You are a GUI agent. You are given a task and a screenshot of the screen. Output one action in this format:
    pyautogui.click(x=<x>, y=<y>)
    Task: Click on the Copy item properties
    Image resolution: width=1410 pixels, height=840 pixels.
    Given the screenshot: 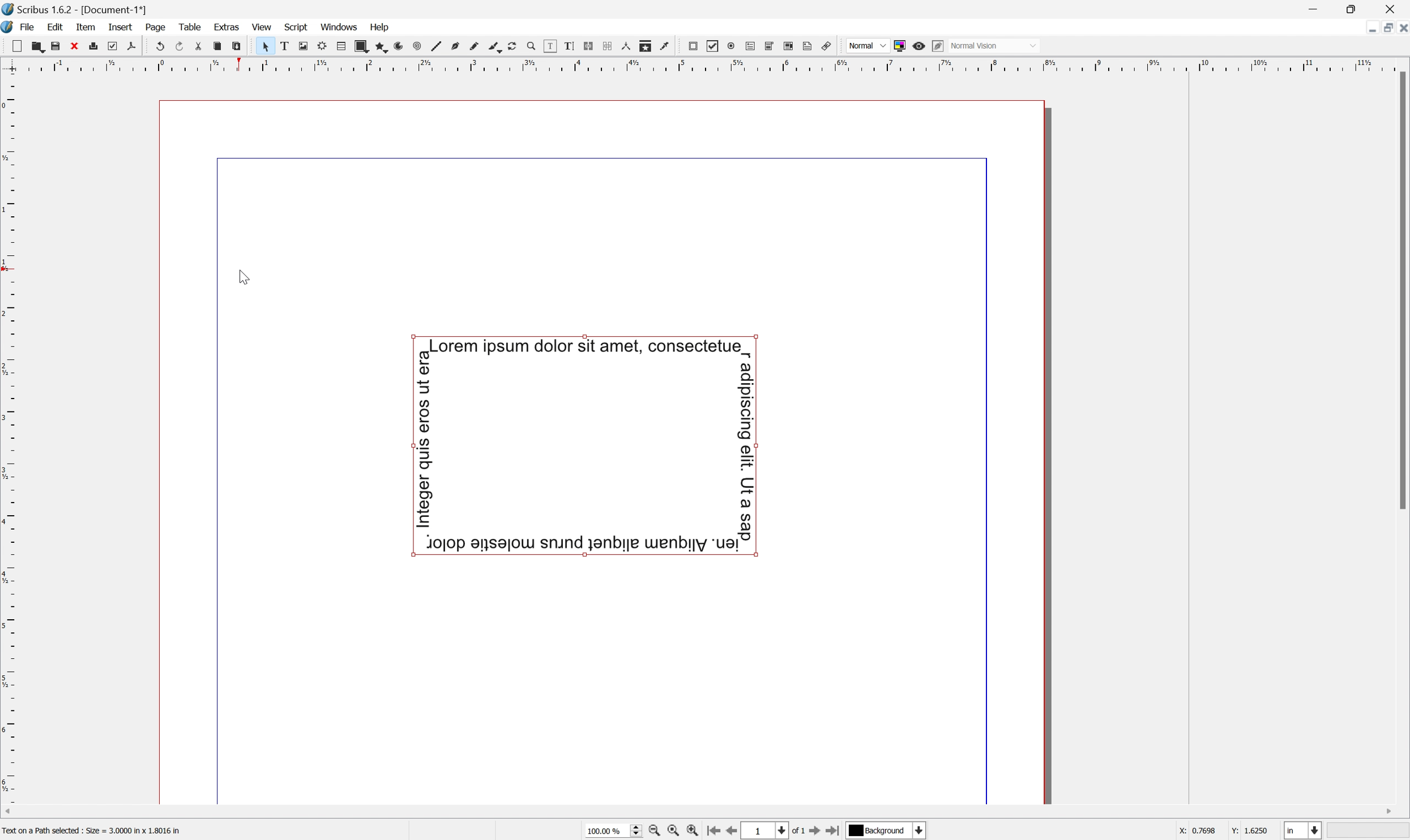 What is the action you would take?
    pyautogui.click(x=646, y=46)
    